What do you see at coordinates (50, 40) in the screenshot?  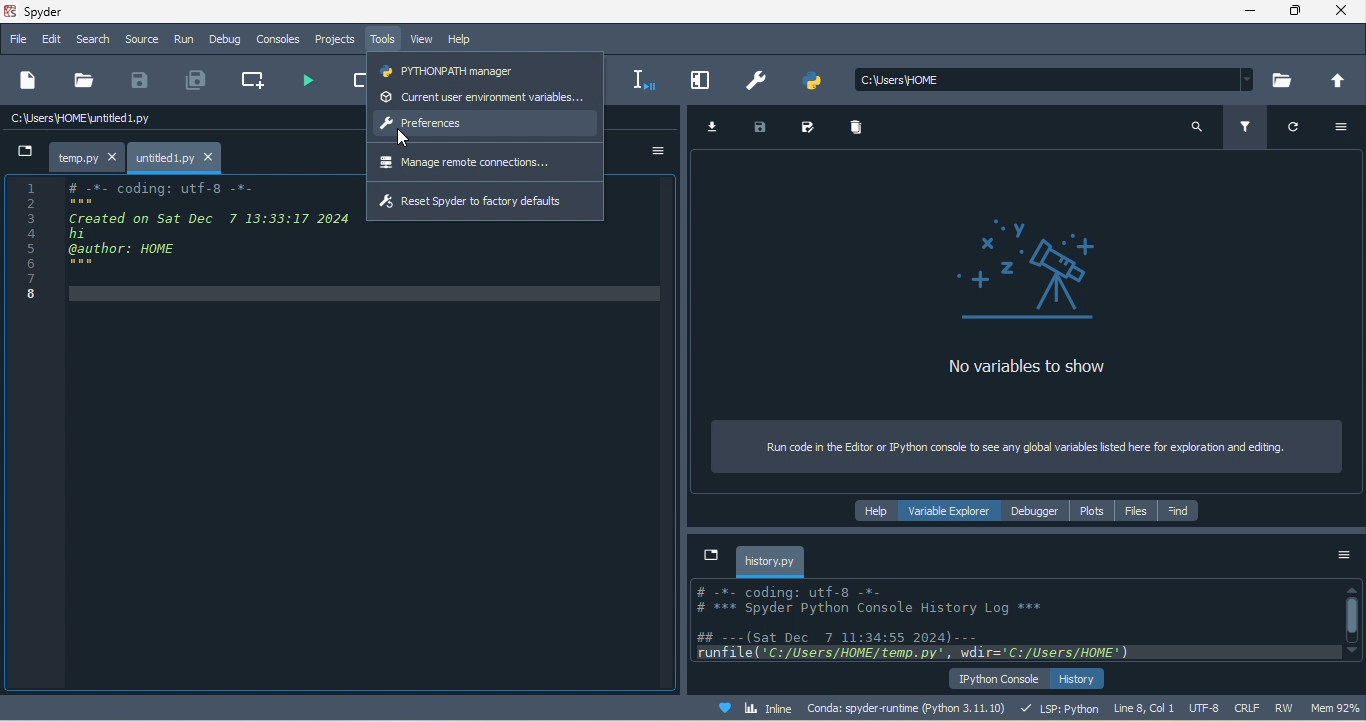 I see `edit` at bounding box center [50, 40].